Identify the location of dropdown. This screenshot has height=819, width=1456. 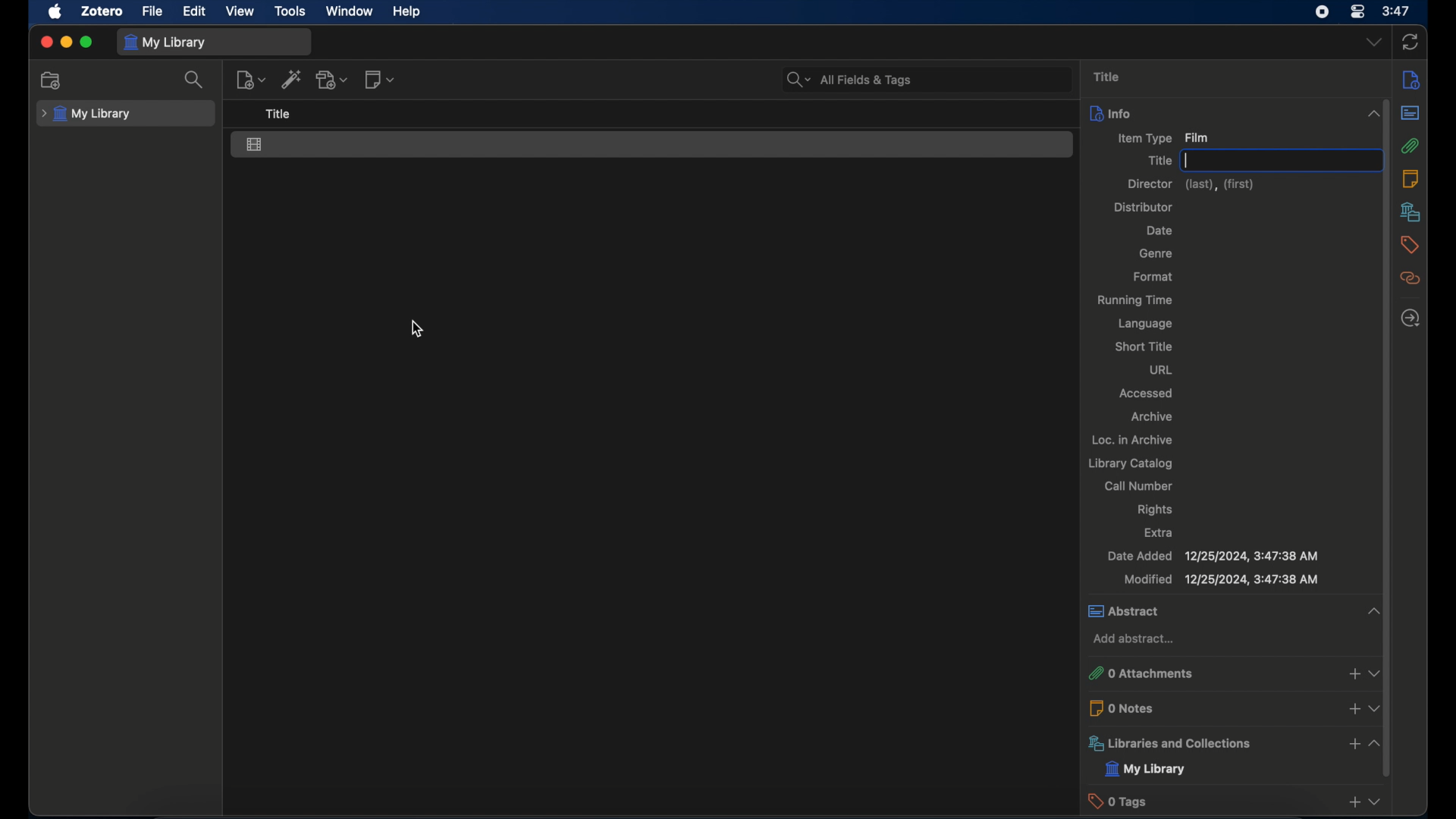
(1379, 672).